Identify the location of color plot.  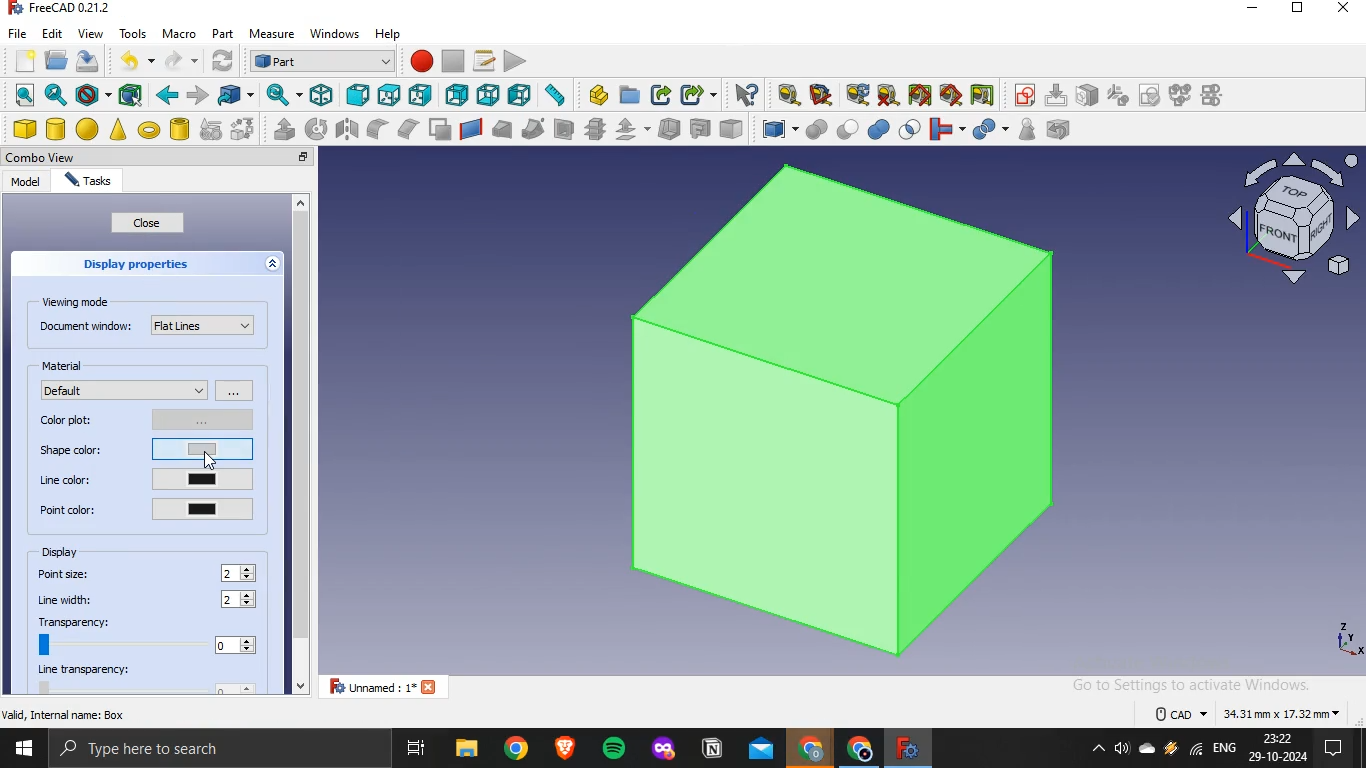
(149, 418).